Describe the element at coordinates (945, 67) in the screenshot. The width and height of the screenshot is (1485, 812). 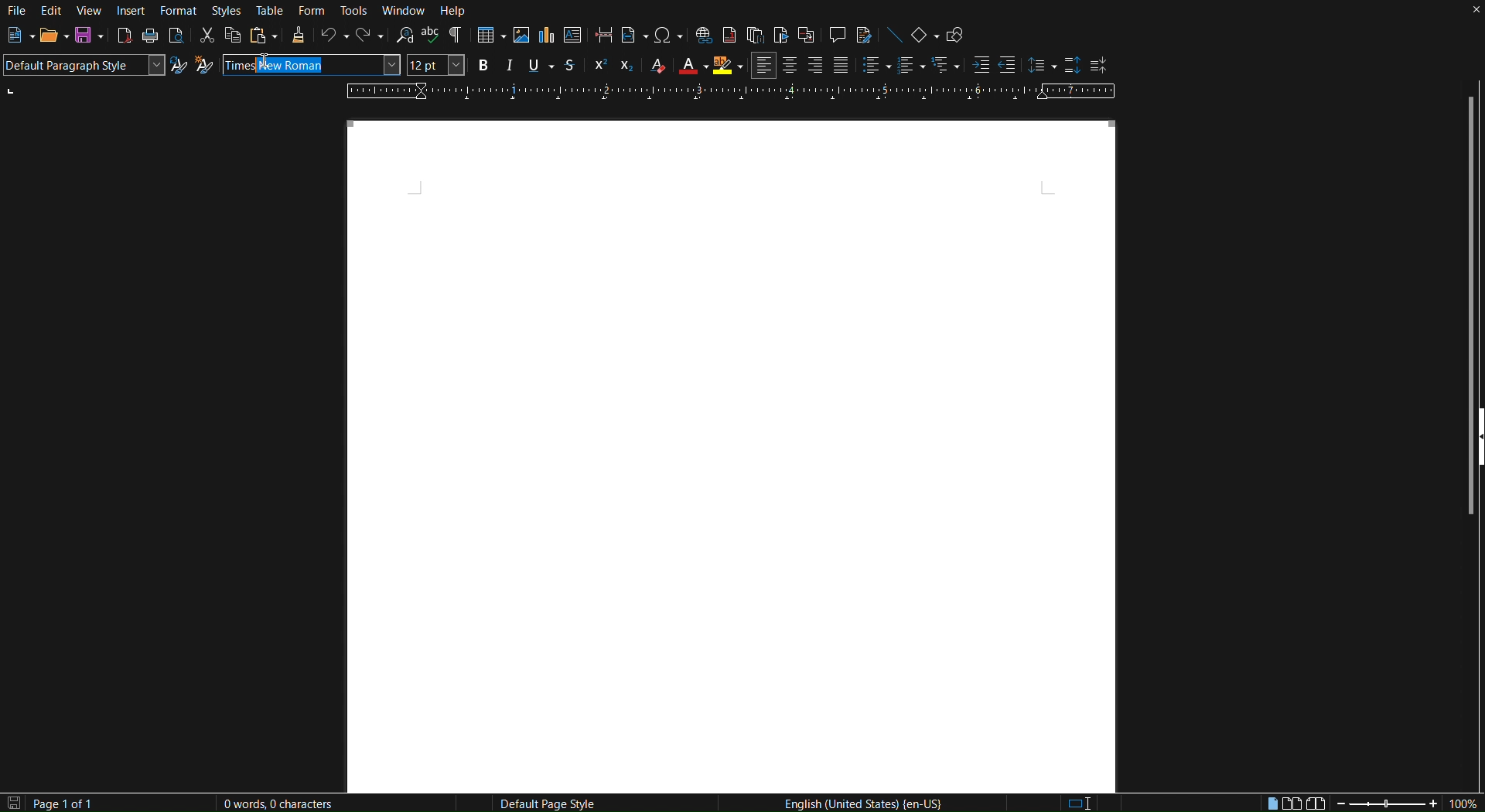
I see `Select outline format` at that location.